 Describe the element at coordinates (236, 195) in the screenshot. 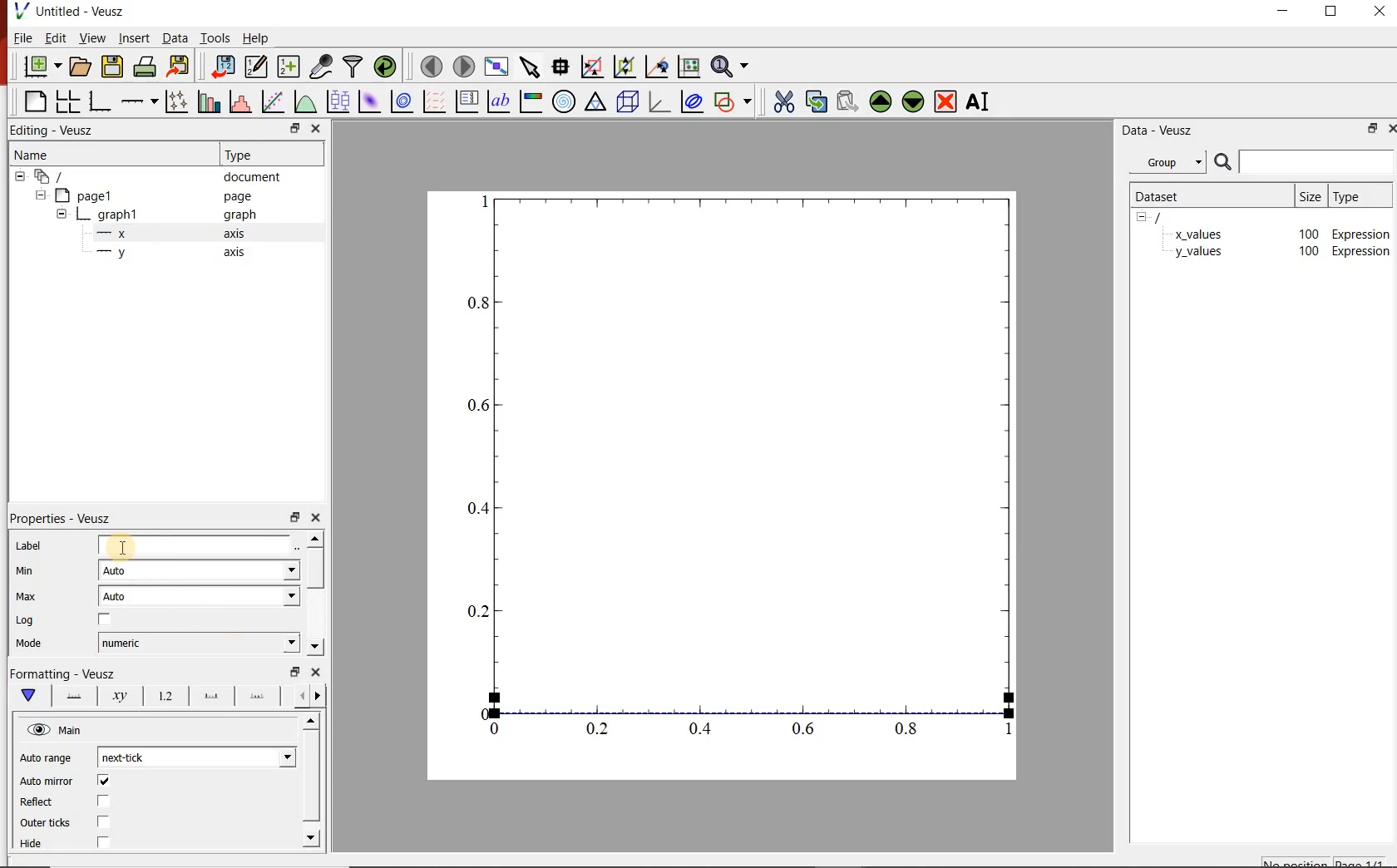

I see `page` at that location.